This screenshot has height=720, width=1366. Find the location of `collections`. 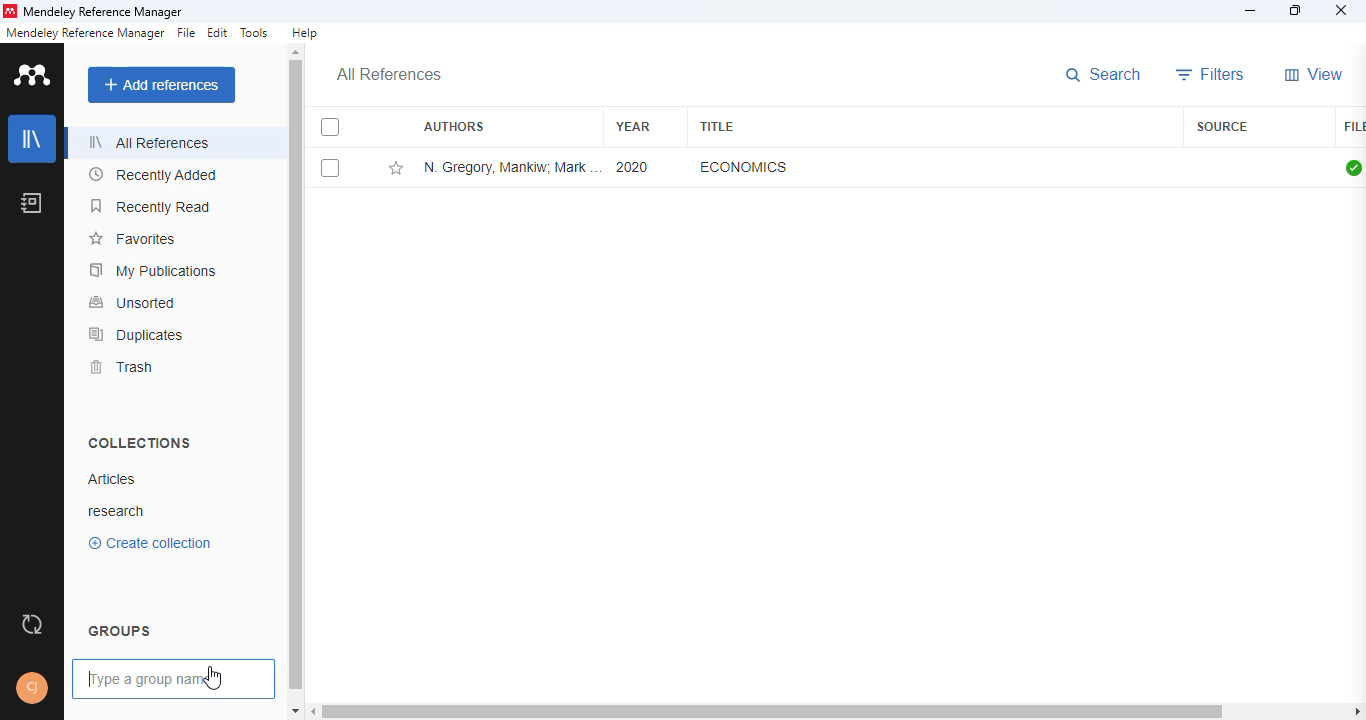

collections is located at coordinates (141, 443).